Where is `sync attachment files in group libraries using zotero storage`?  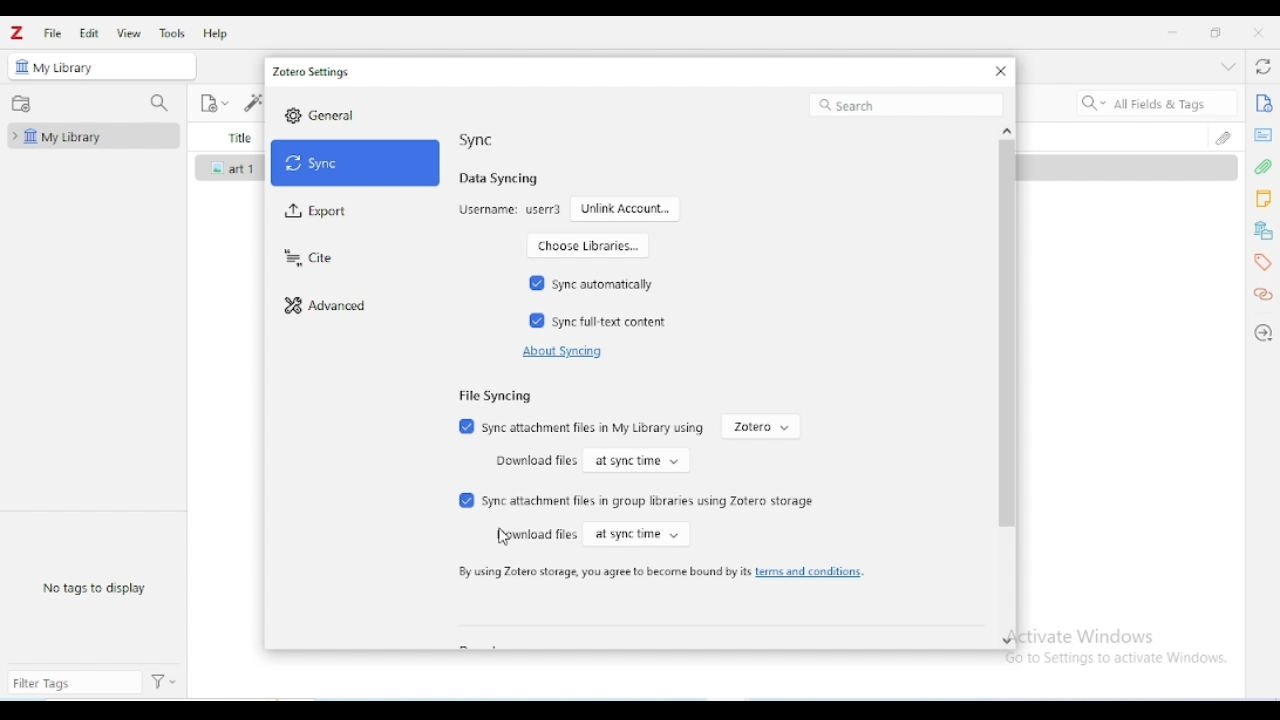
sync attachment files in group libraries using zotero storage is located at coordinates (650, 501).